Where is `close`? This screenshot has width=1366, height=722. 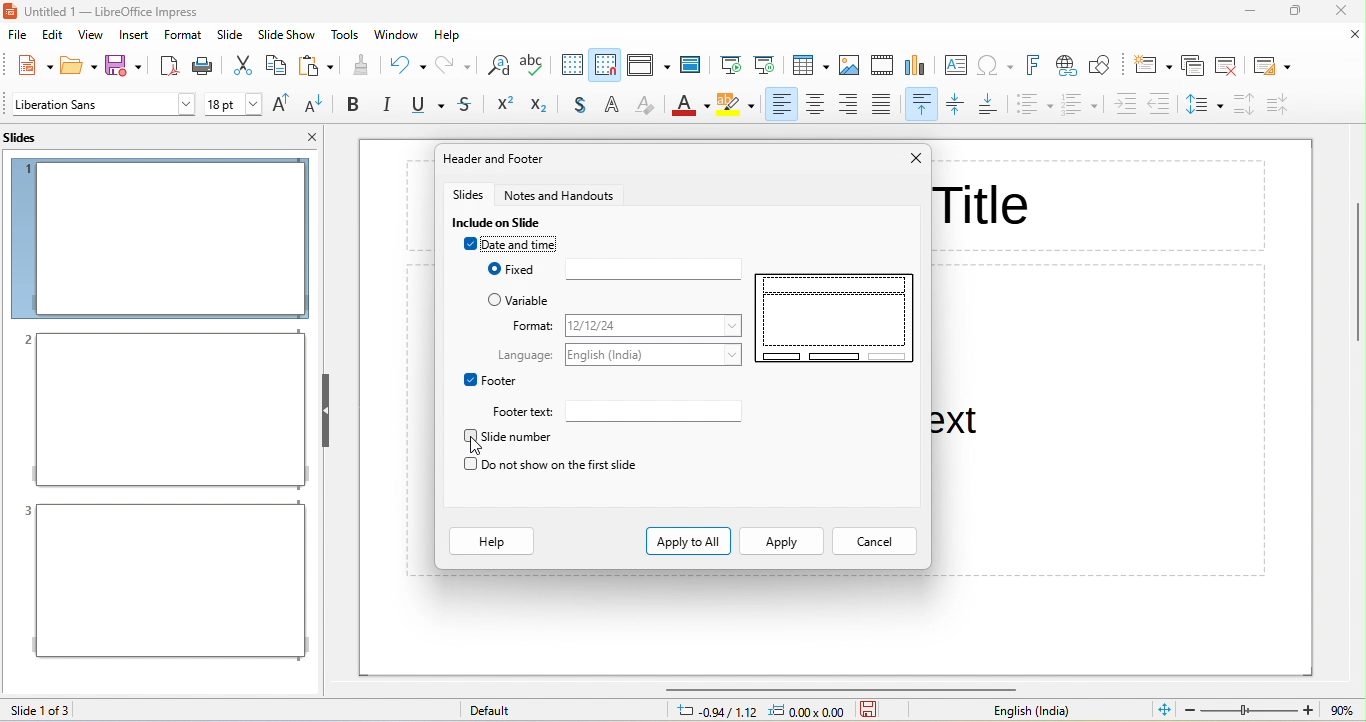
close is located at coordinates (1354, 35).